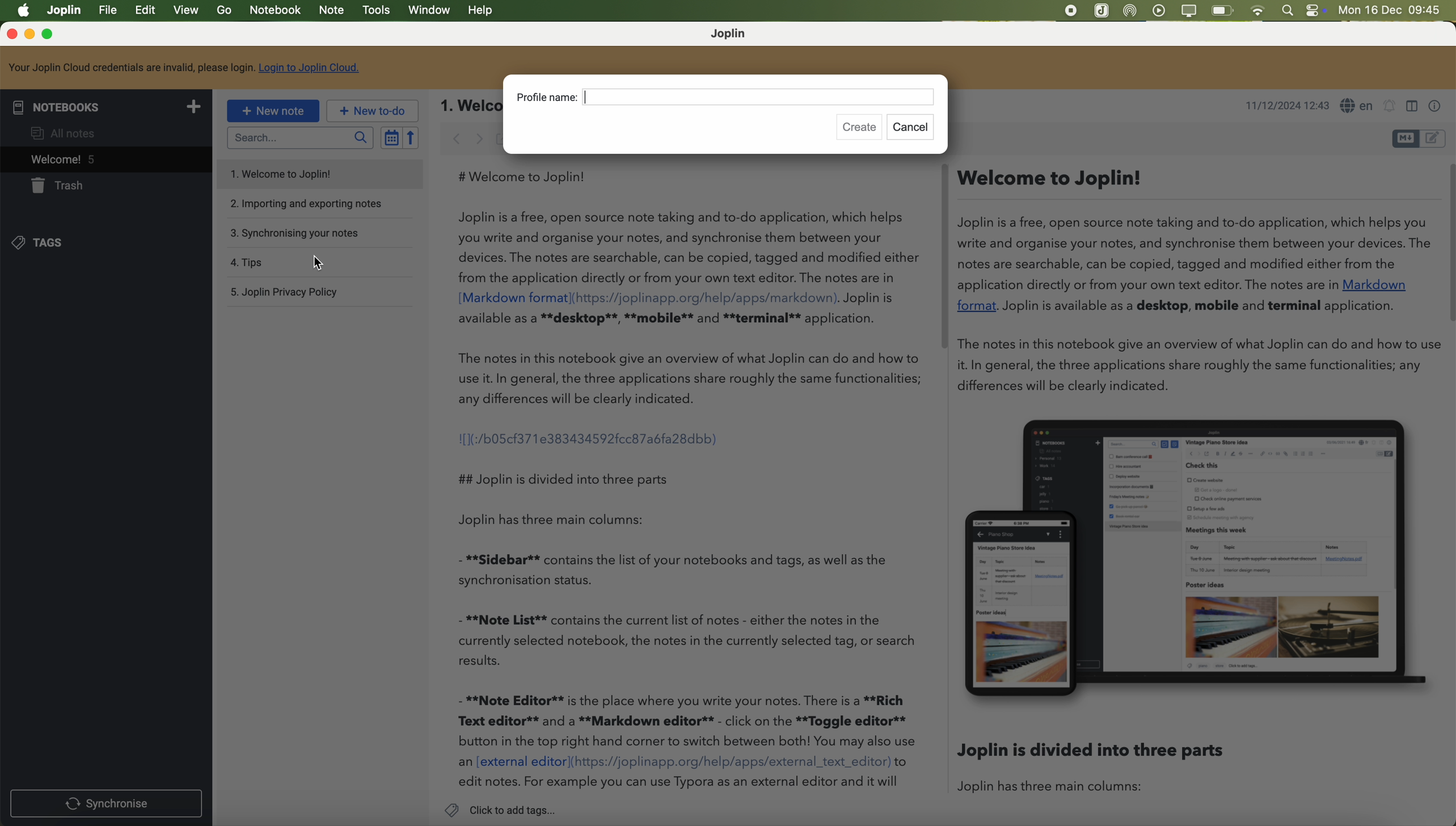 This screenshot has height=826, width=1456. Describe the element at coordinates (147, 11) in the screenshot. I see `edit` at that location.